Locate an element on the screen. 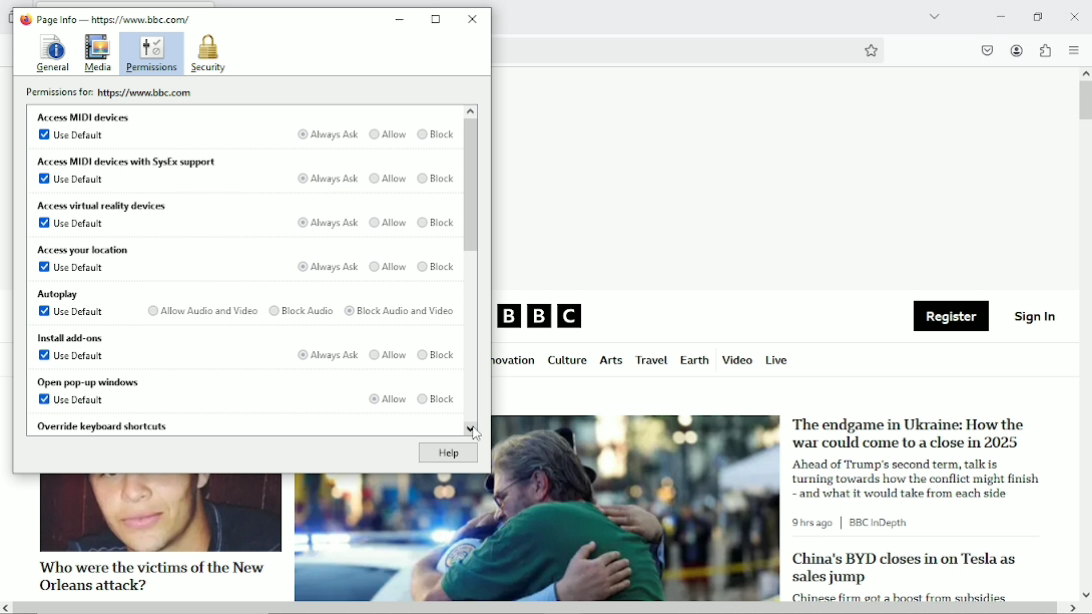 The height and width of the screenshot is (614, 1092). Block is located at coordinates (436, 267).